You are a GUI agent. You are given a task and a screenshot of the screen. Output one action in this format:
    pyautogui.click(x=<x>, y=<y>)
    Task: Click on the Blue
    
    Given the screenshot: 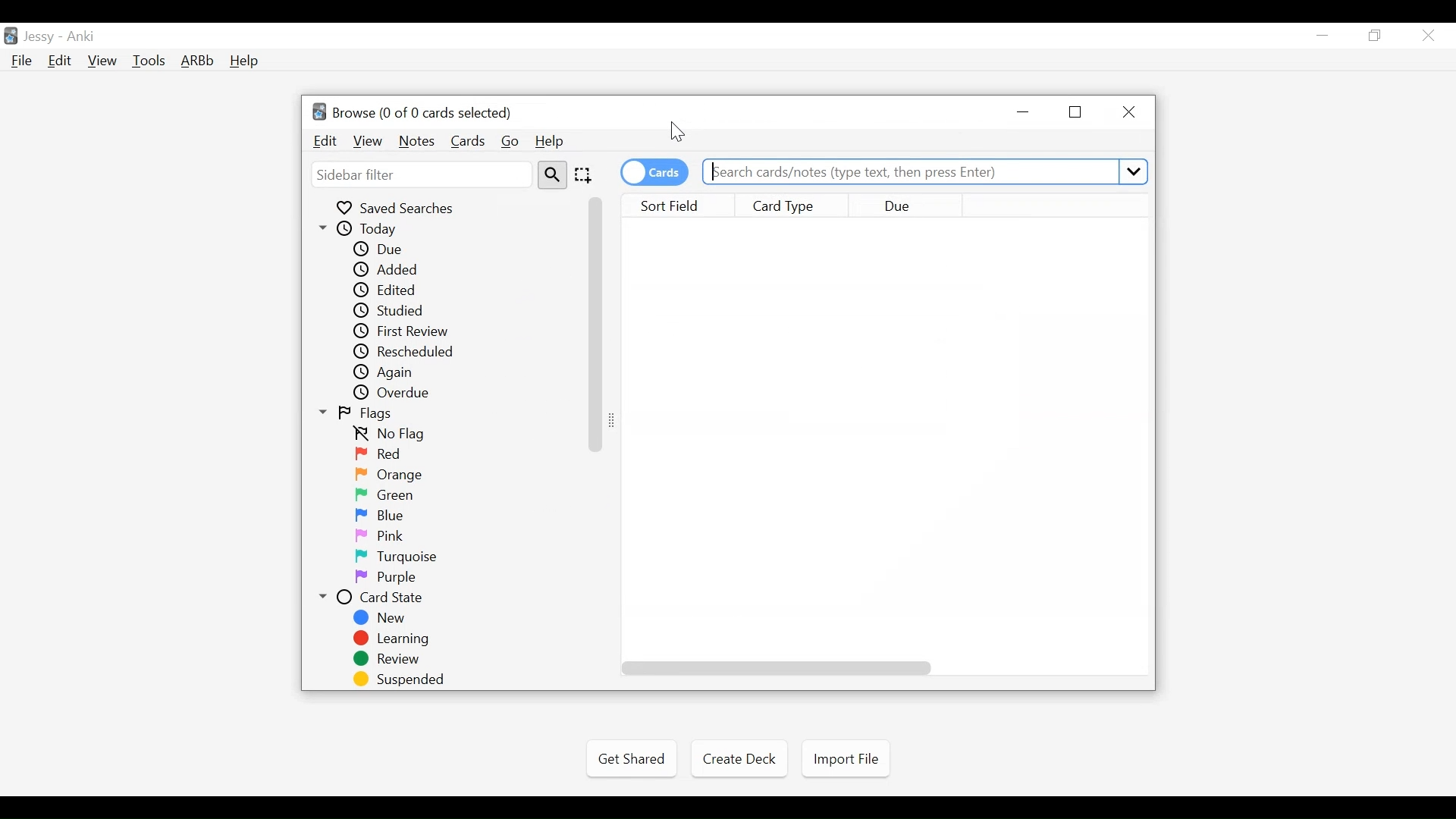 What is the action you would take?
    pyautogui.click(x=388, y=516)
    